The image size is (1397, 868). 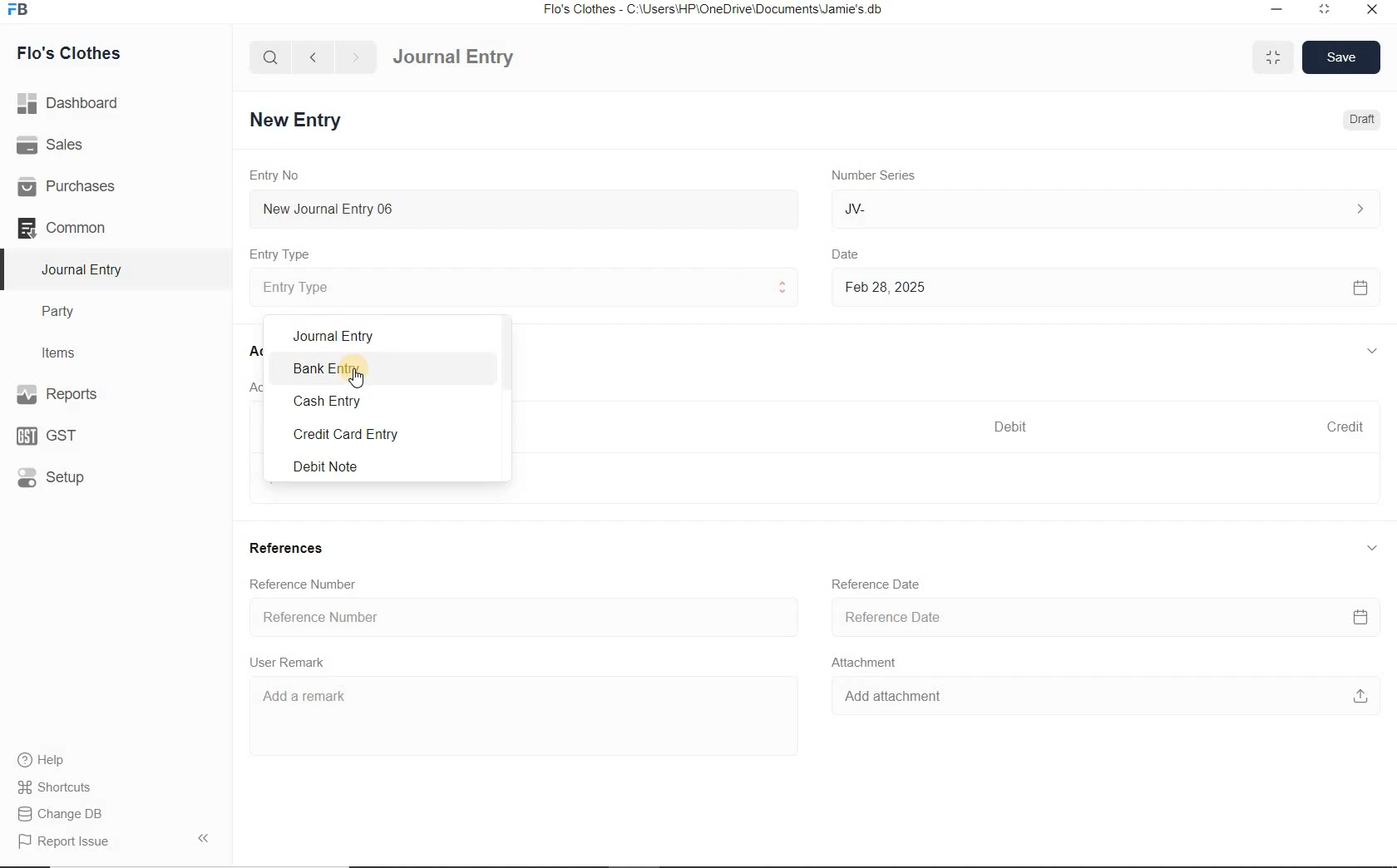 I want to click on collapse, so click(x=1370, y=550).